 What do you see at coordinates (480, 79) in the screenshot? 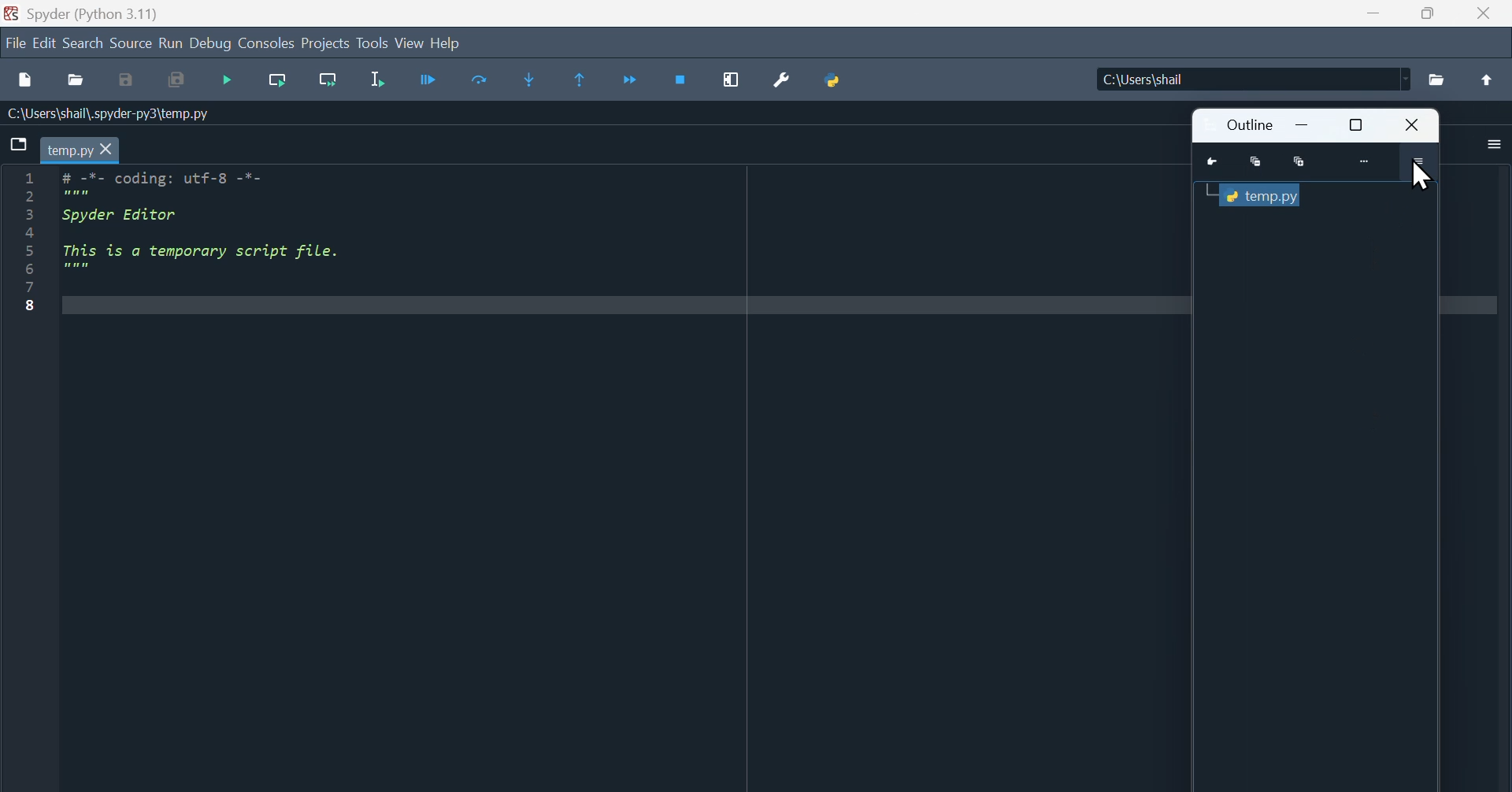
I see `Run Cell` at bounding box center [480, 79].